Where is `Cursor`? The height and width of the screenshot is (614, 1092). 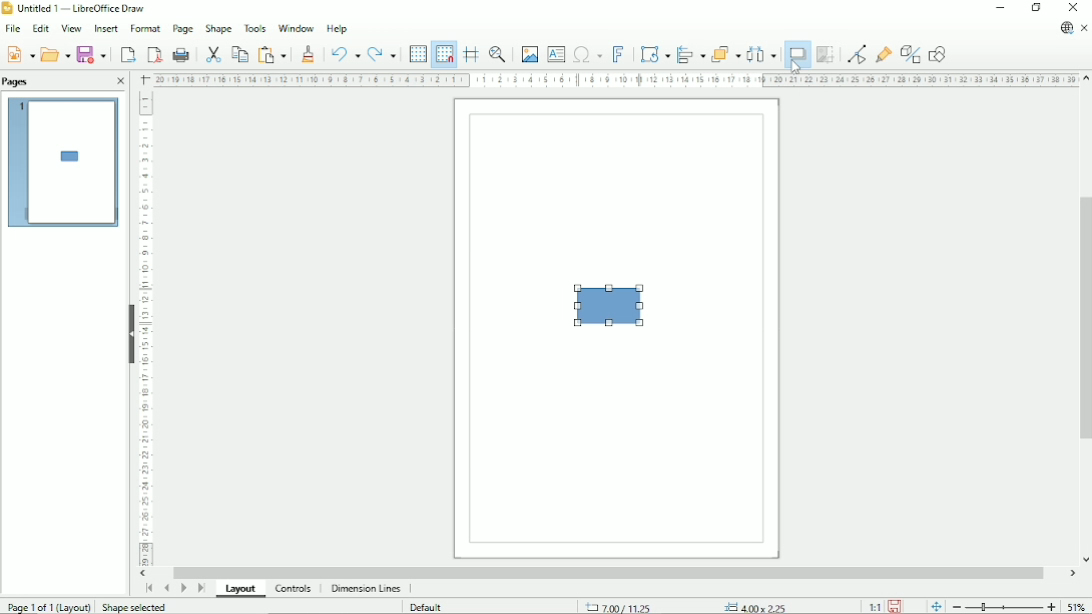
Cursor is located at coordinates (795, 67).